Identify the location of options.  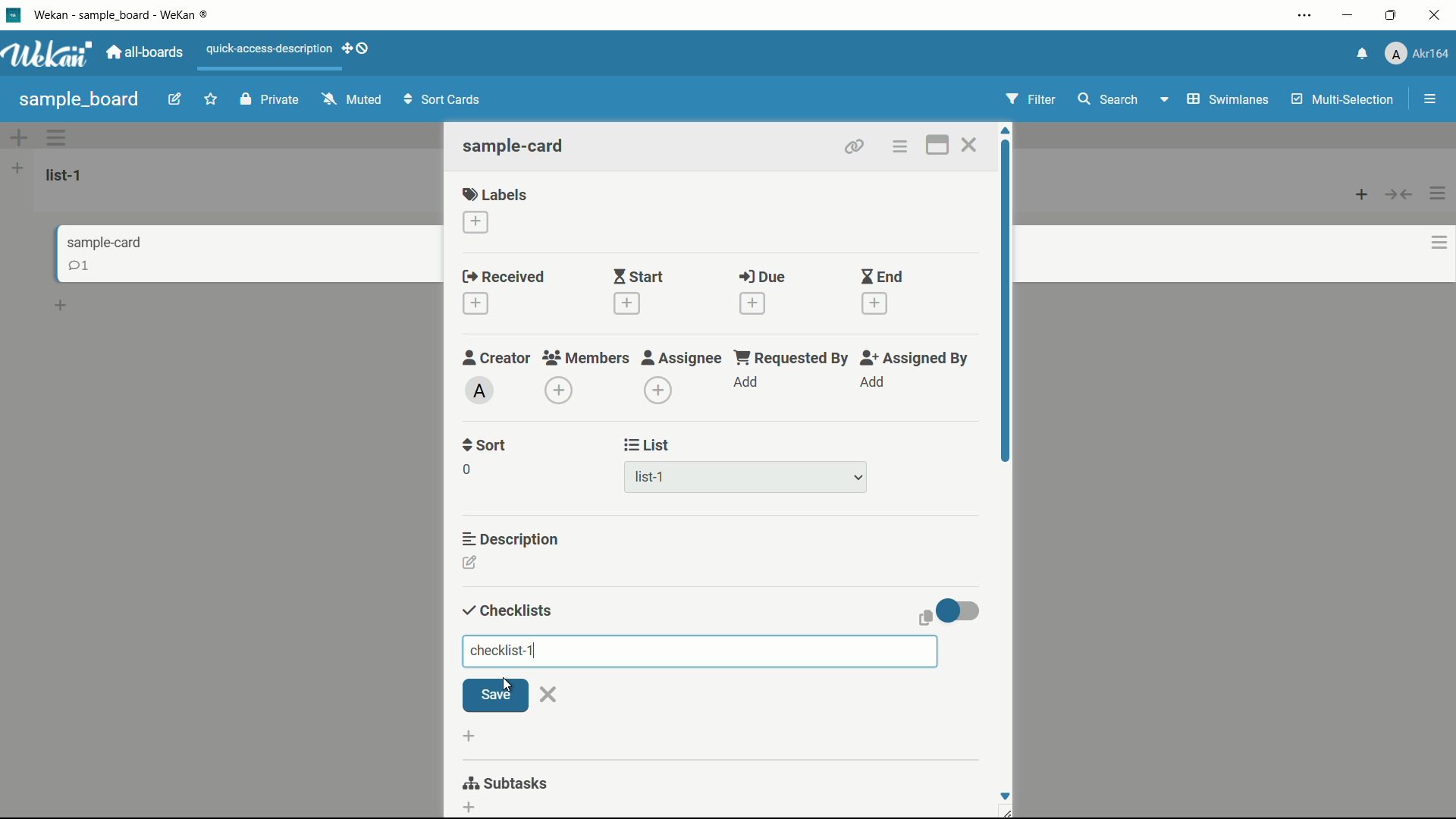
(1441, 190).